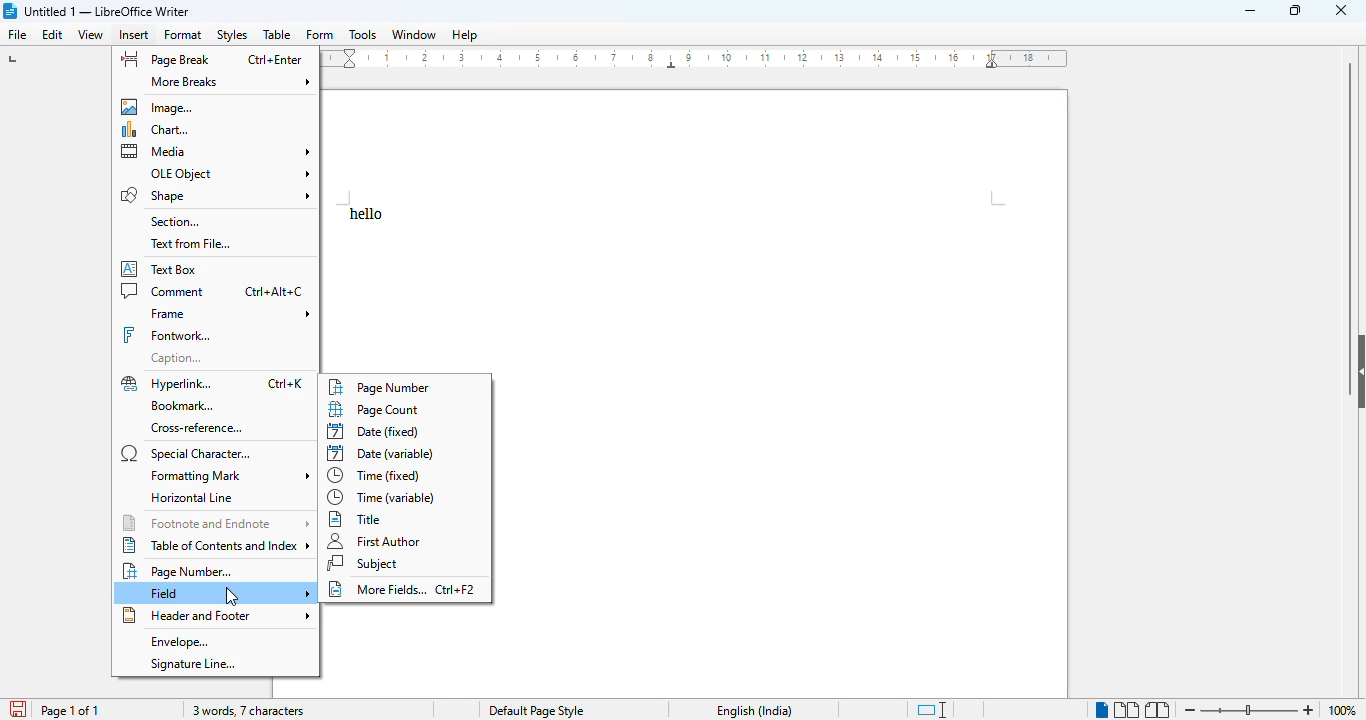  What do you see at coordinates (932, 710) in the screenshot?
I see `standard selection` at bounding box center [932, 710].